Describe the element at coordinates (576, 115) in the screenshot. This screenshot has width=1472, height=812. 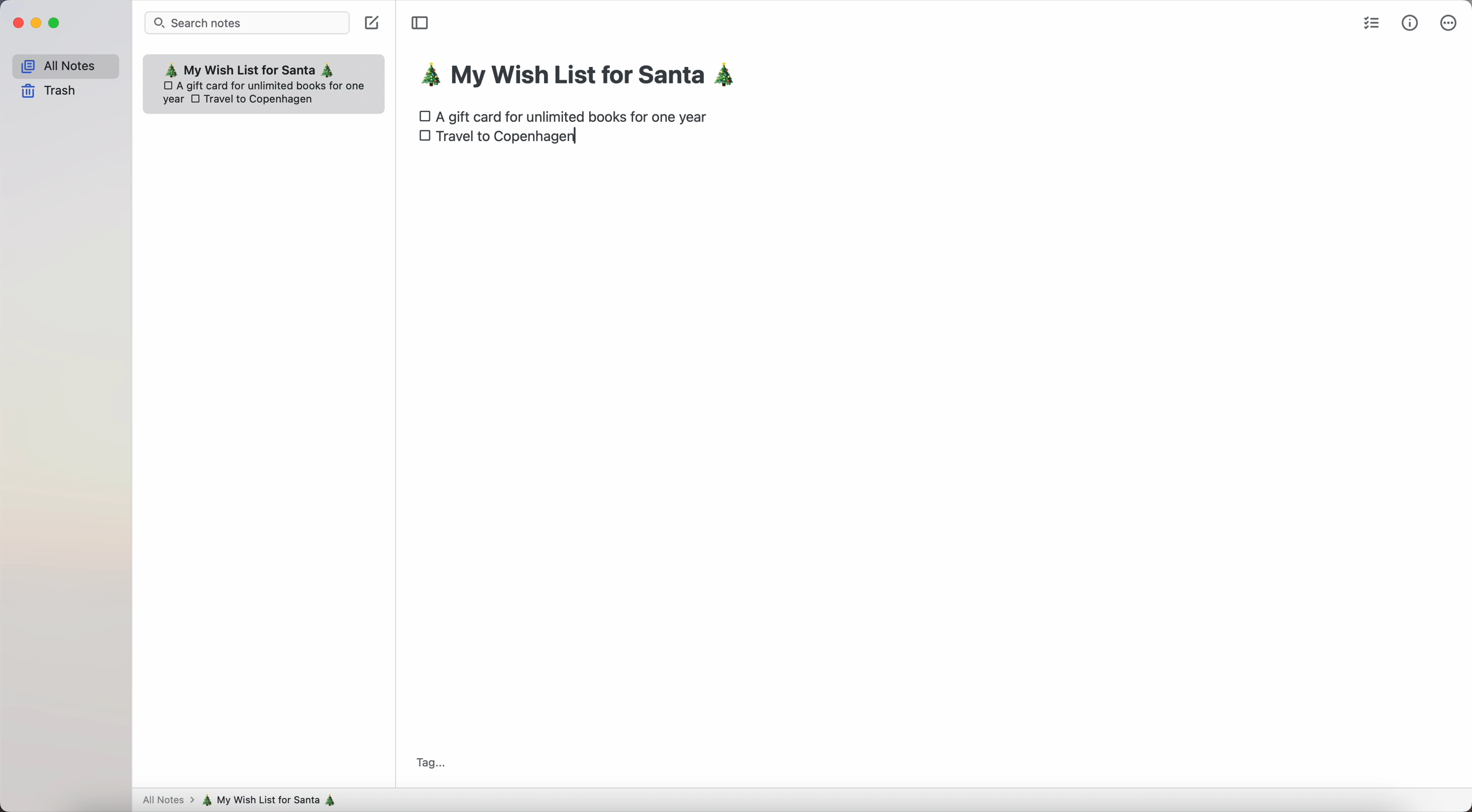
I see `A gift card for unlimited books for one year` at that location.